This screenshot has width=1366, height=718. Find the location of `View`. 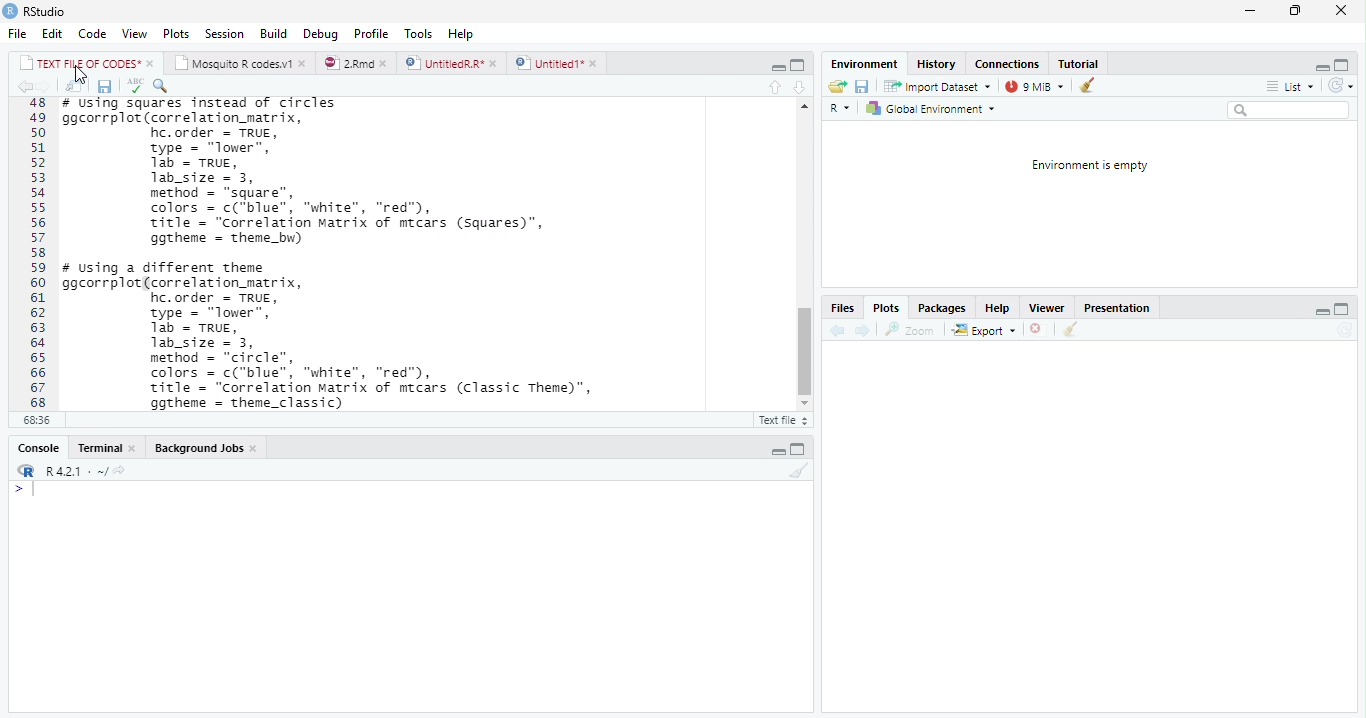

View is located at coordinates (135, 32).